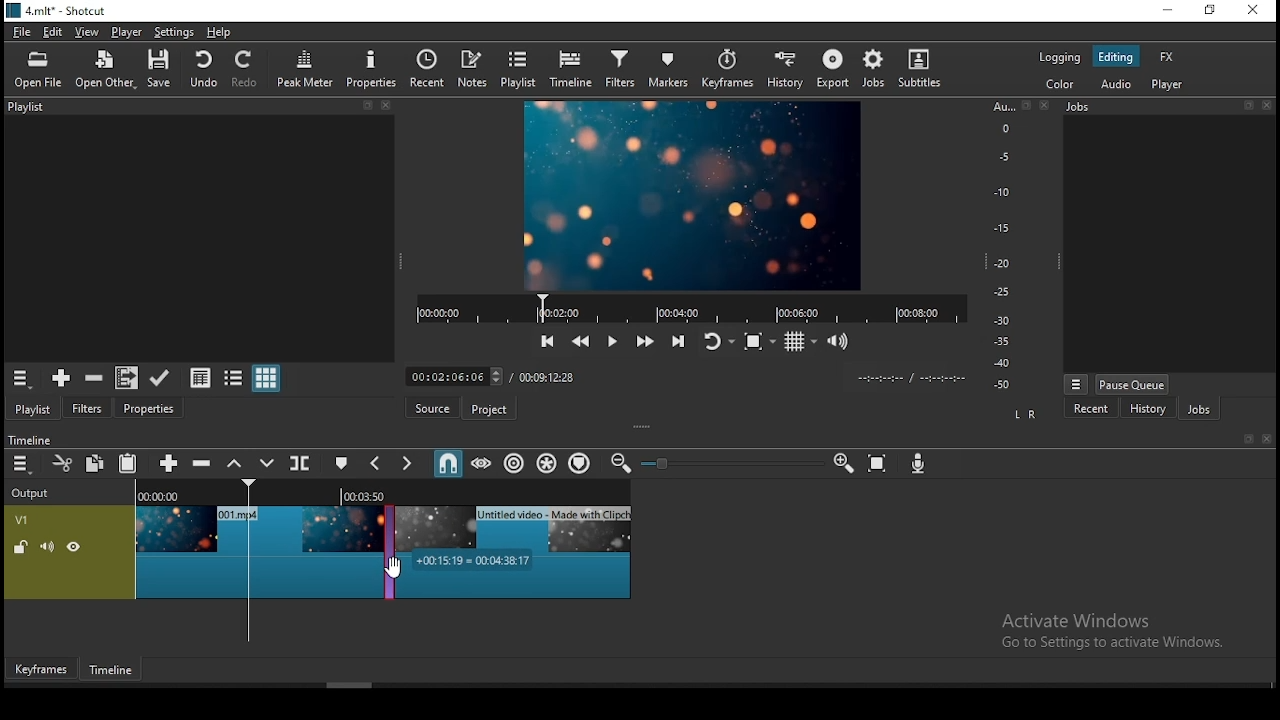  I want to click on peak meter, so click(307, 68).